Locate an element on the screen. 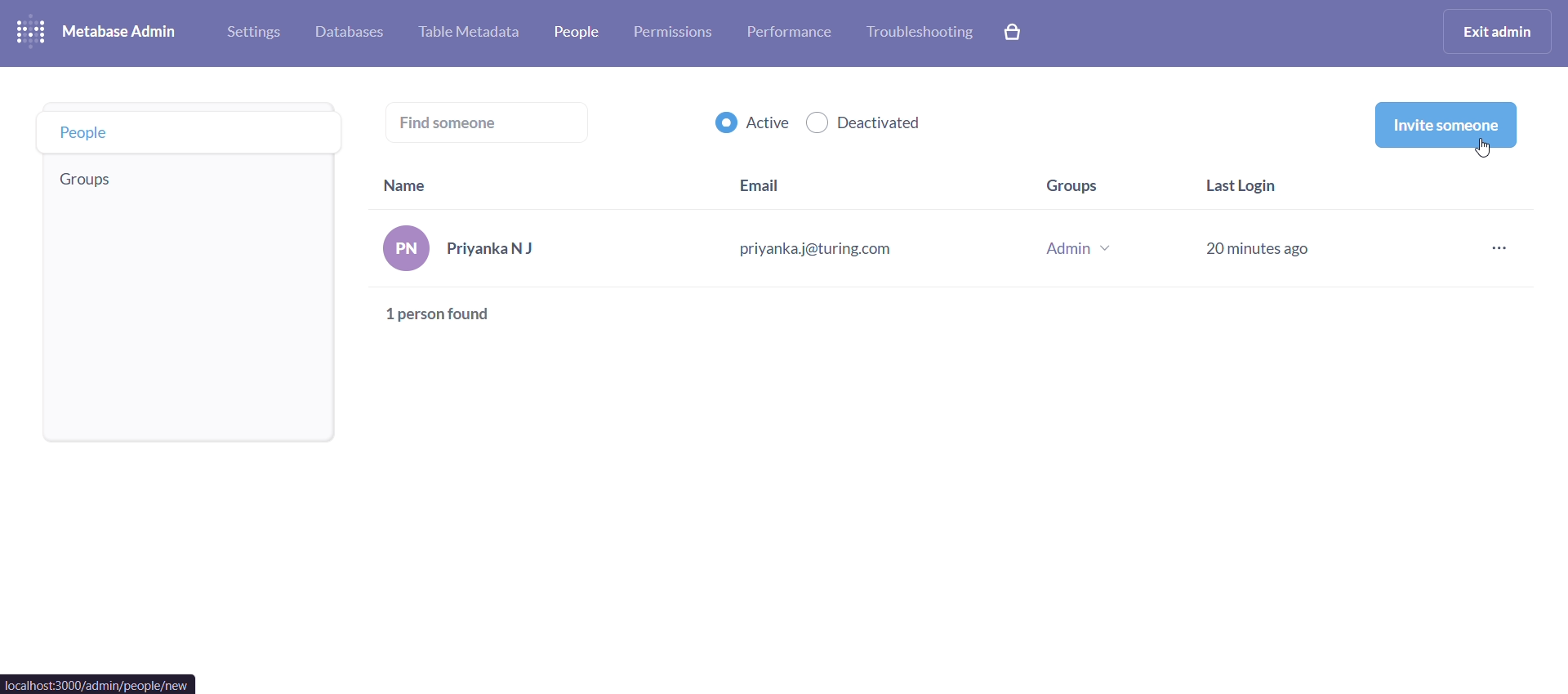  metabase admin is located at coordinates (126, 33).